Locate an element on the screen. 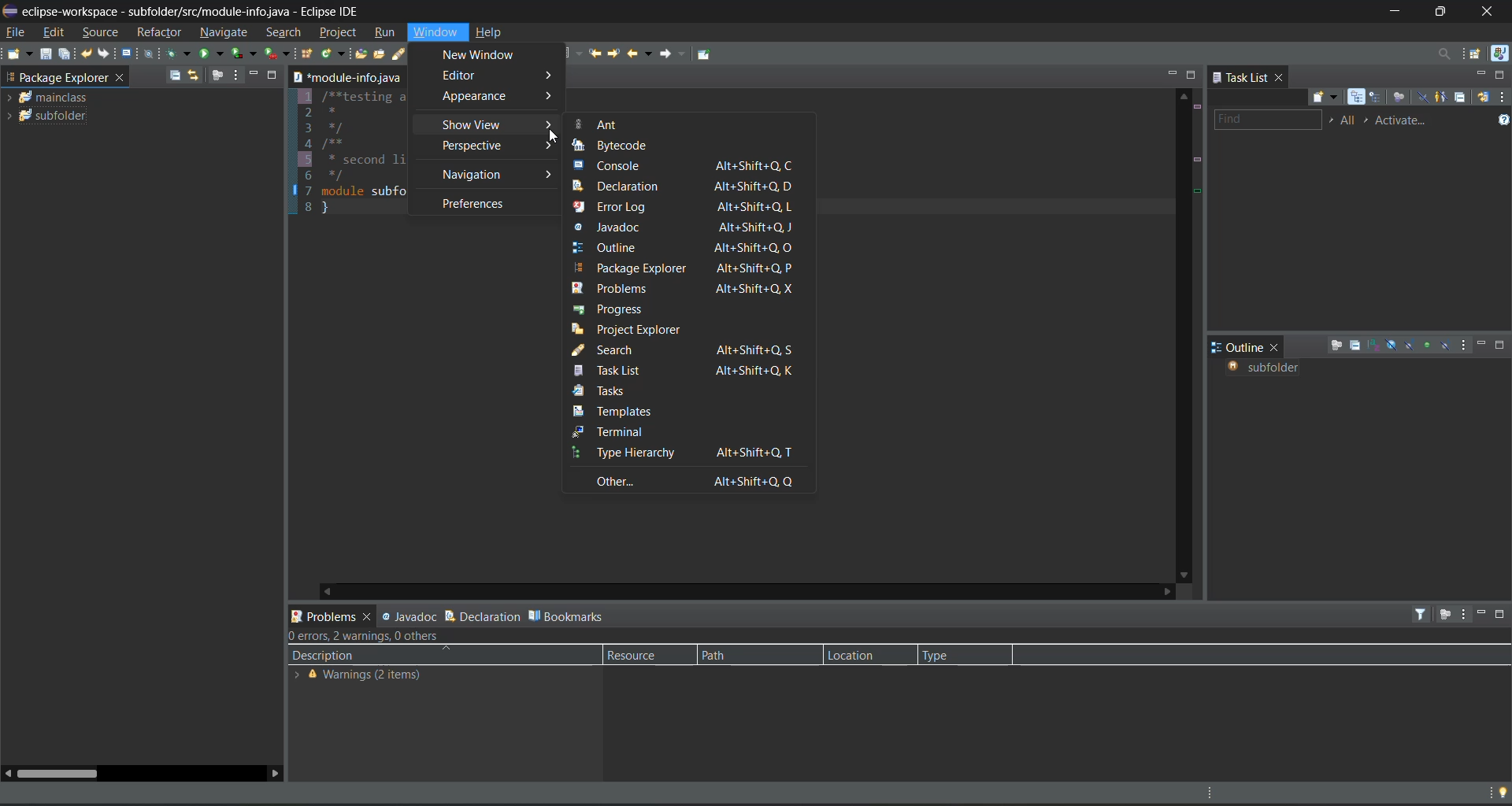  perspective is located at coordinates (495, 146).